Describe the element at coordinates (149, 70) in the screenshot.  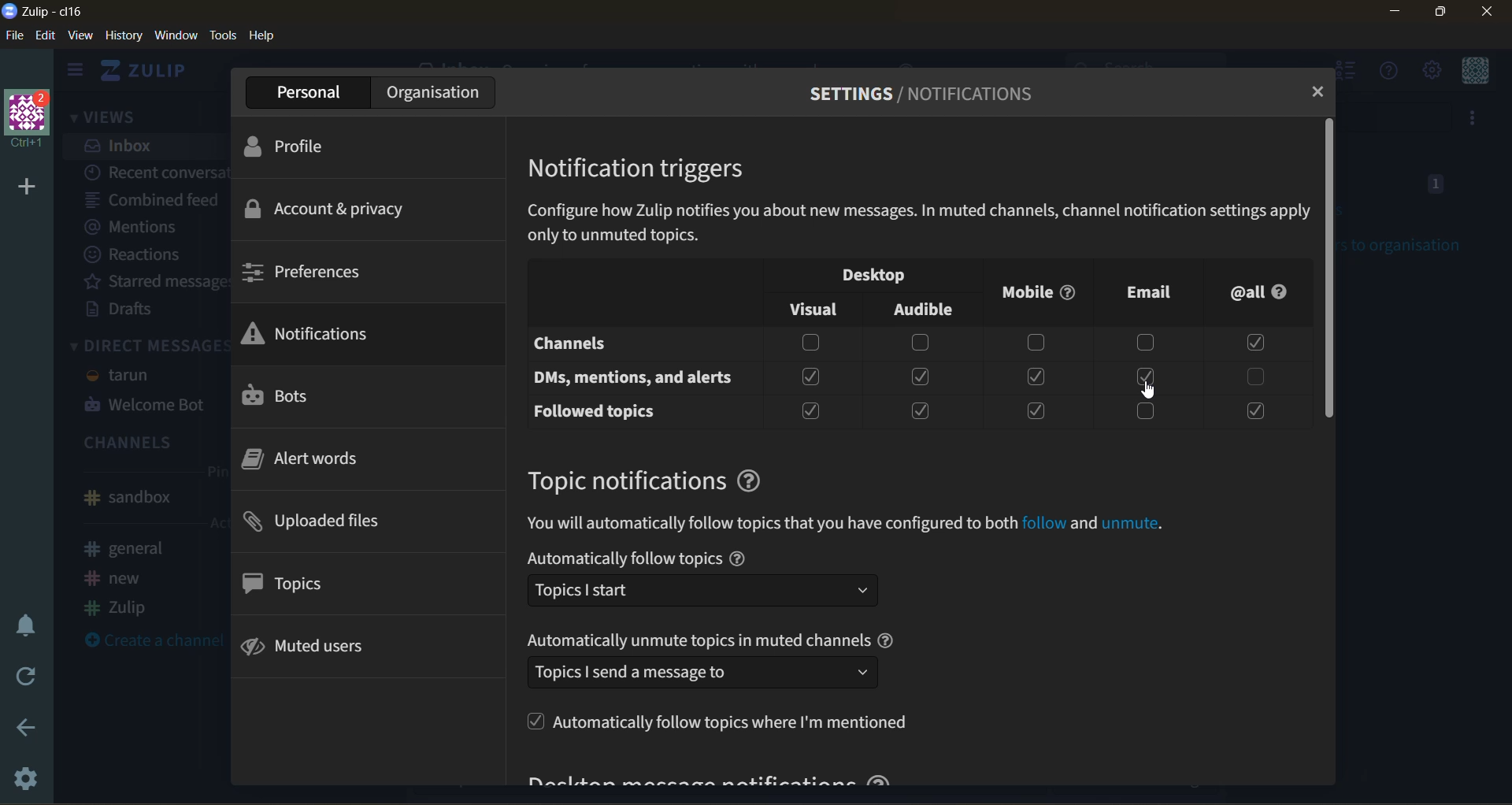
I see `home view` at that location.